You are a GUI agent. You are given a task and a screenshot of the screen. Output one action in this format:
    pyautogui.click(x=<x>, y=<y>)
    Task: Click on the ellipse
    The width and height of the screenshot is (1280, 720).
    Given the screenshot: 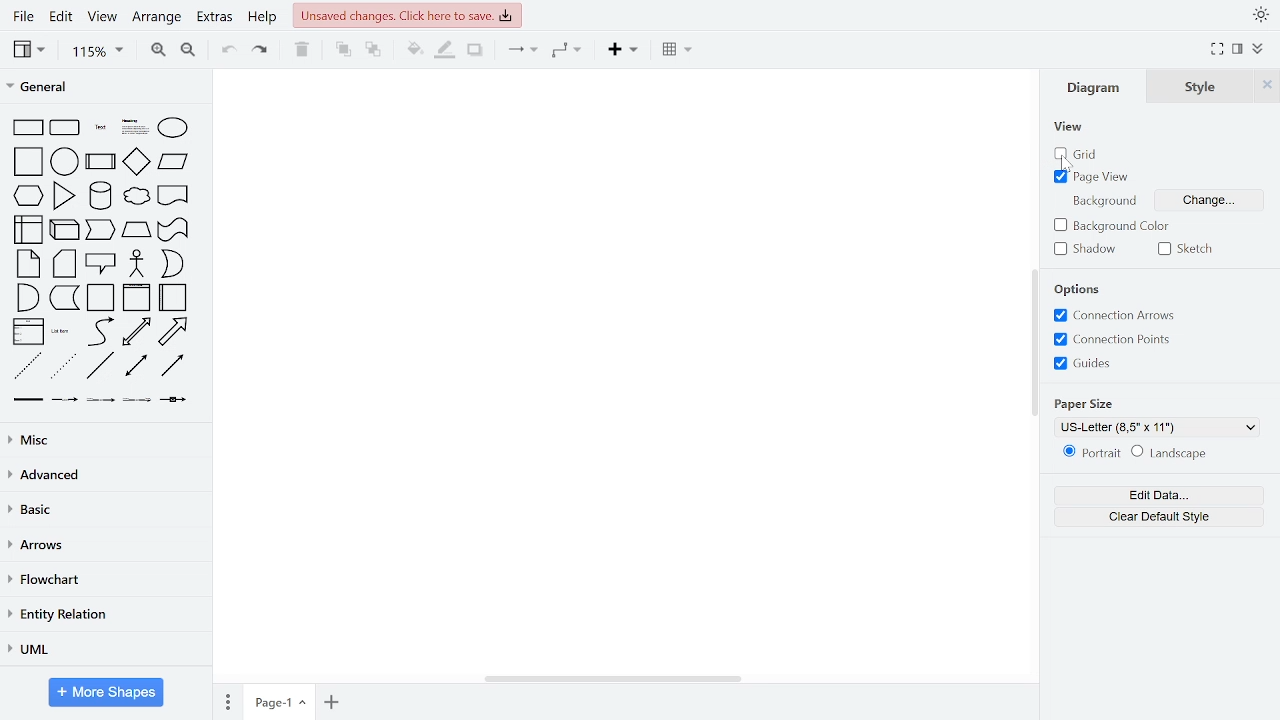 What is the action you would take?
    pyautogui.click(x=174, y=128)
    